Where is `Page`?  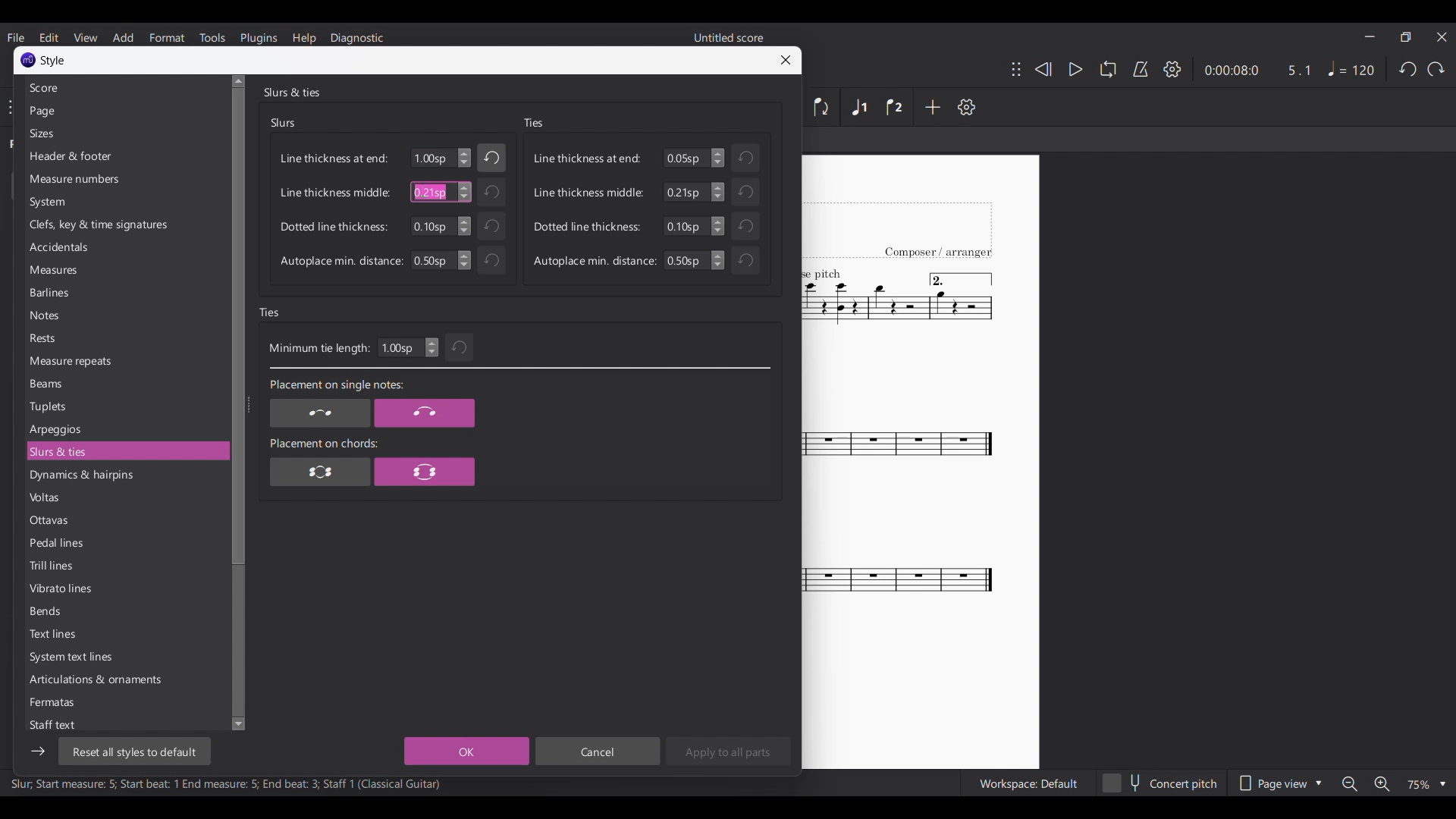
Page is located at coordinates (124, 111).